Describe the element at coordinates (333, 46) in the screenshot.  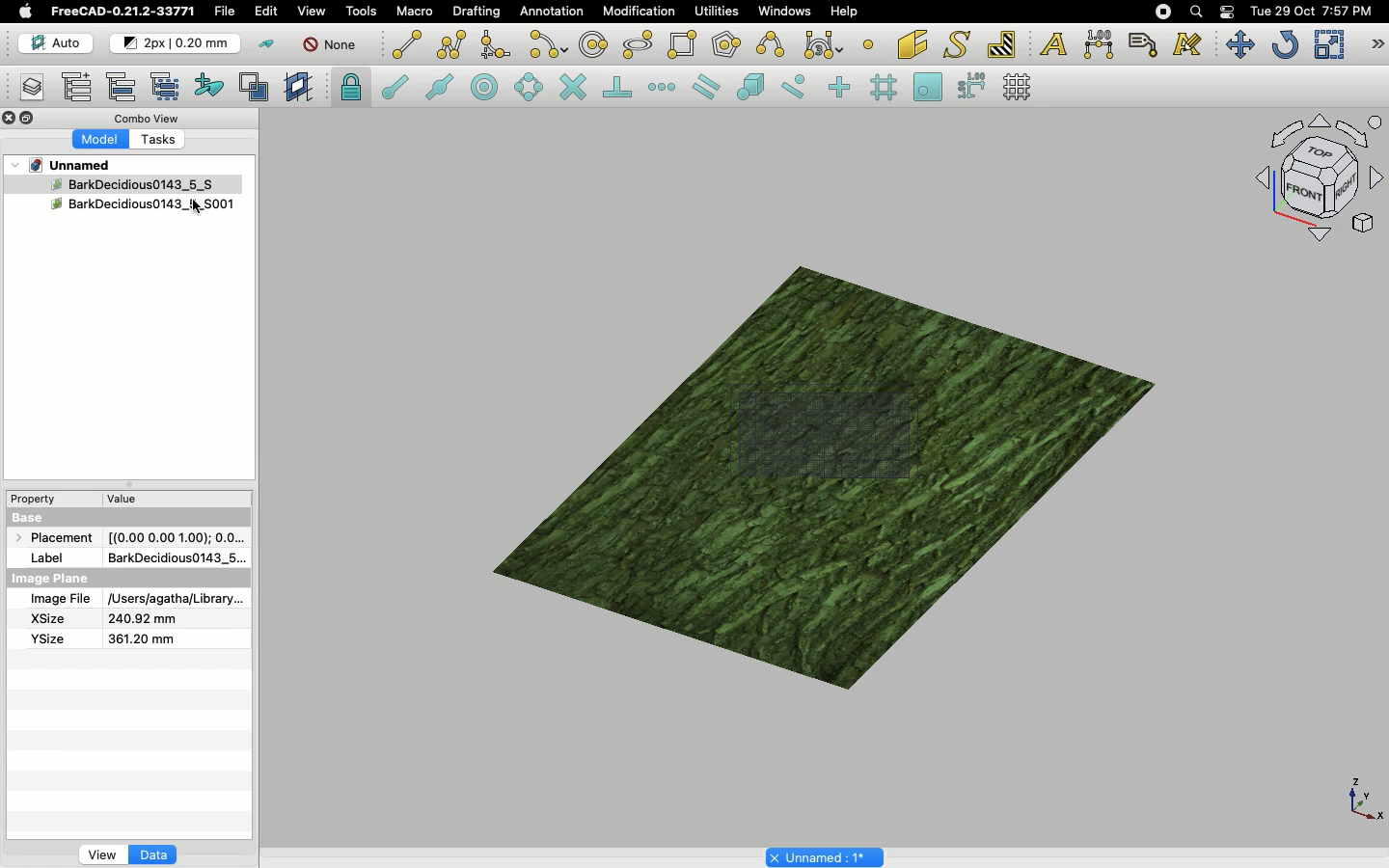
I see `Autogroup off` at that location.